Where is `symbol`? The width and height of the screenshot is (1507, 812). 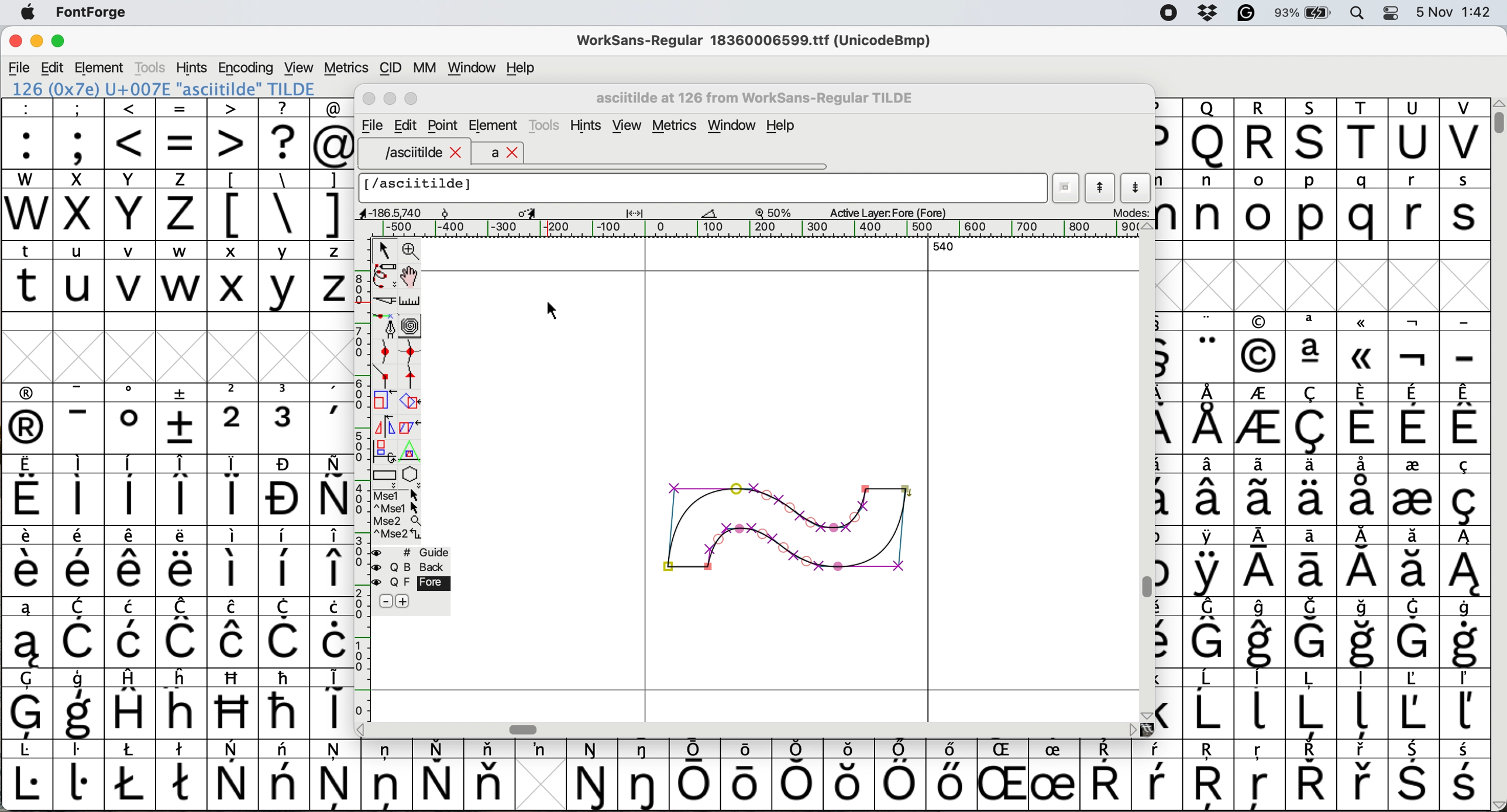
symbol is located at coordinates (183, 632).